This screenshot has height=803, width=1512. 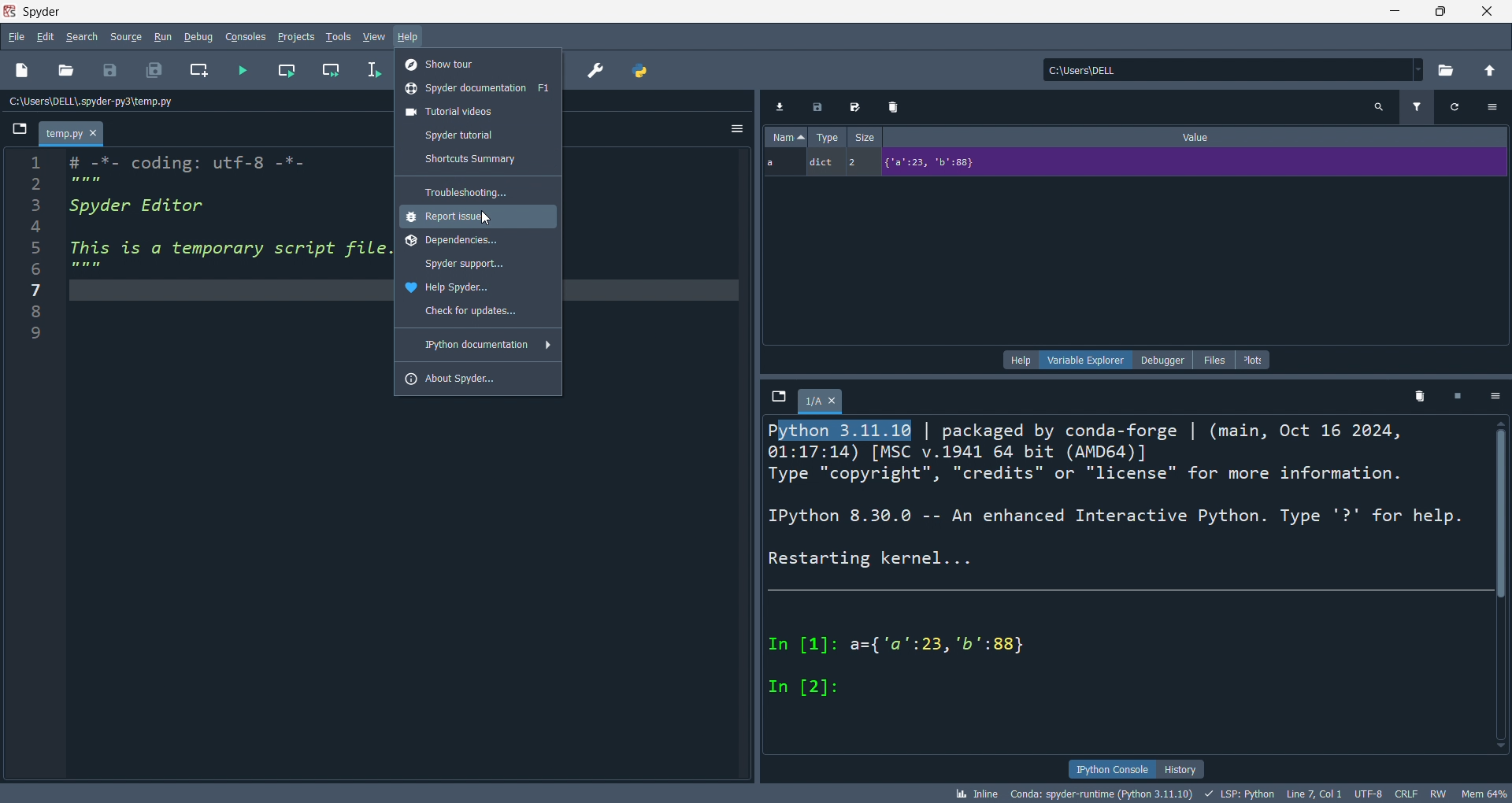 What do you see at coordinates (478, 190) in the screenshot?
I see `troubleshooting` at bounding box center [478, 190].